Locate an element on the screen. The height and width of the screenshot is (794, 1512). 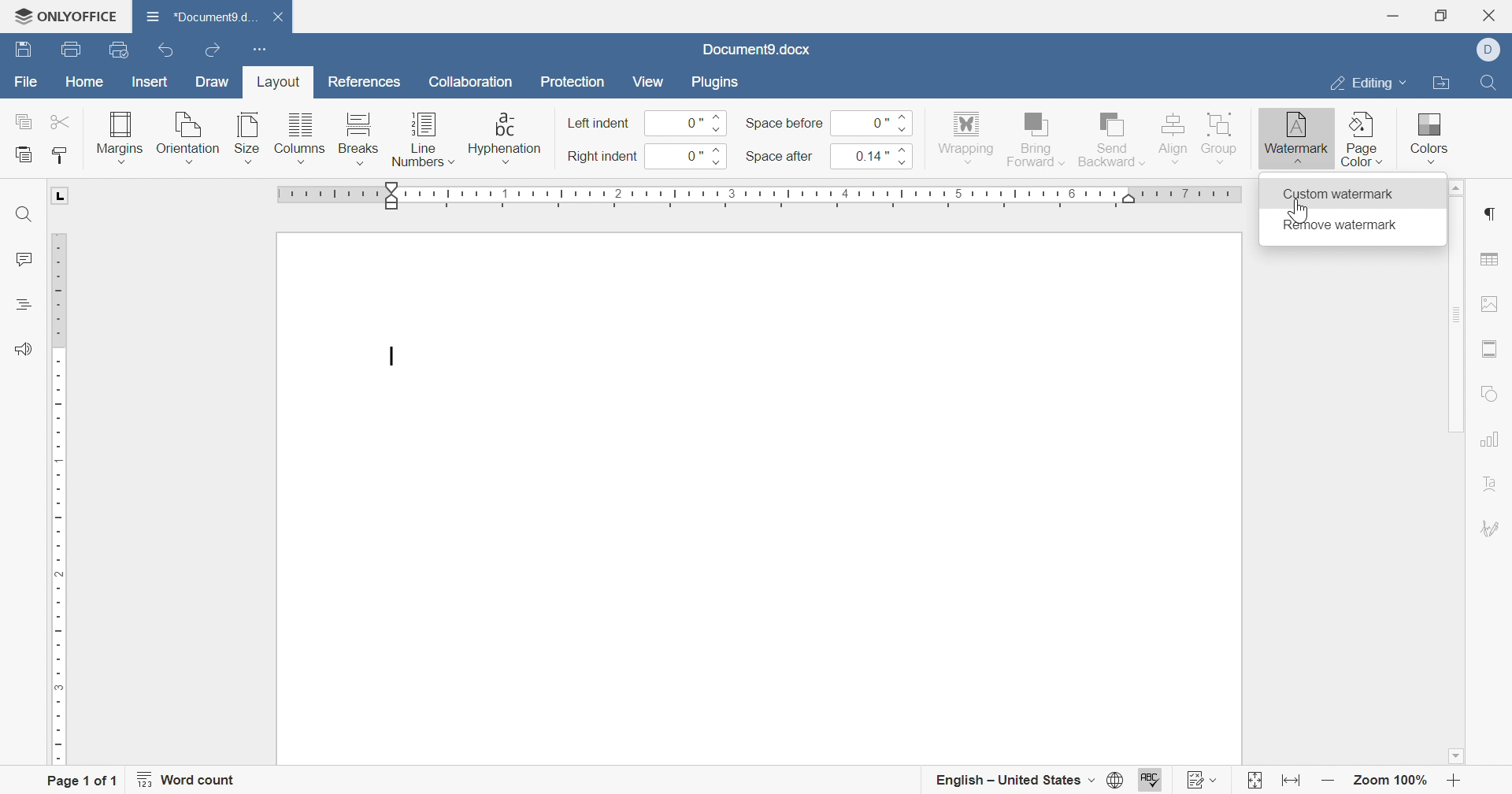
undo is located at coordinates (171, 52).